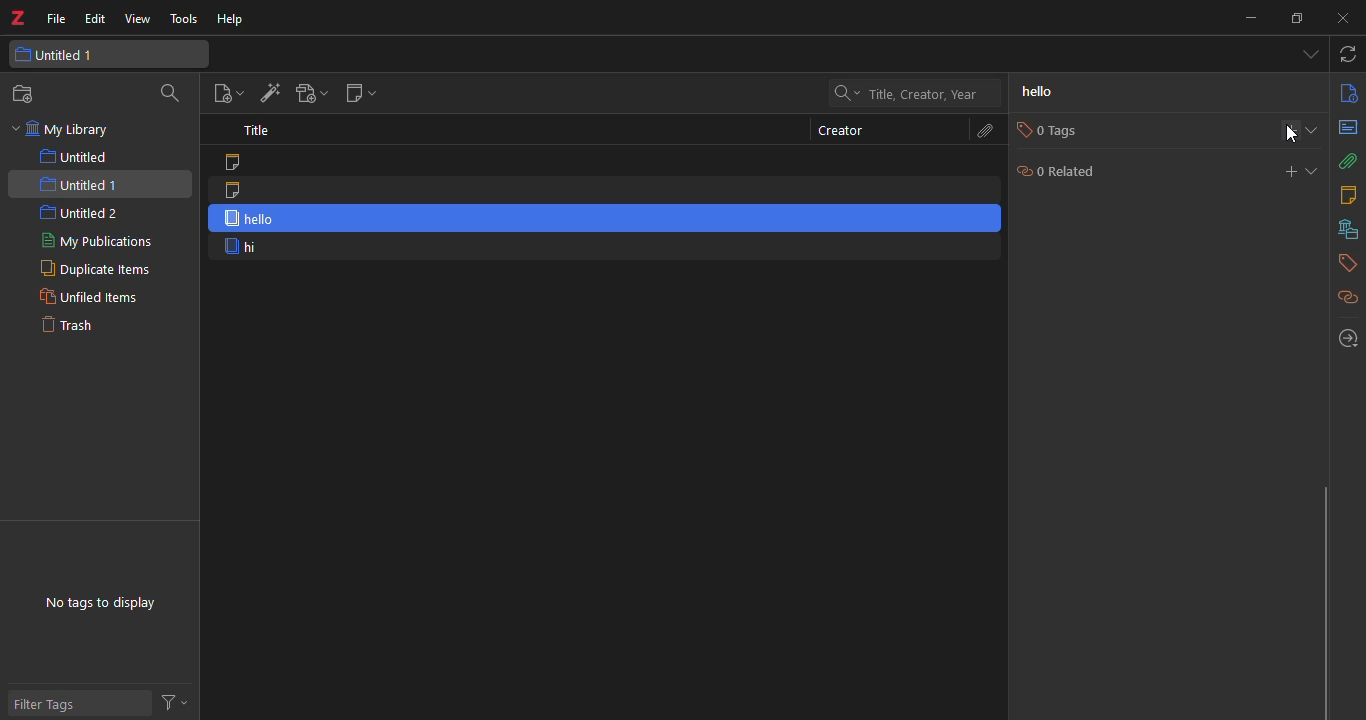 The width and height of the screenshot is (1366, 720). What do you see at coordinates (1347, 162) in the screenshot?
I see `attach` at bounding box center [1347, 162].